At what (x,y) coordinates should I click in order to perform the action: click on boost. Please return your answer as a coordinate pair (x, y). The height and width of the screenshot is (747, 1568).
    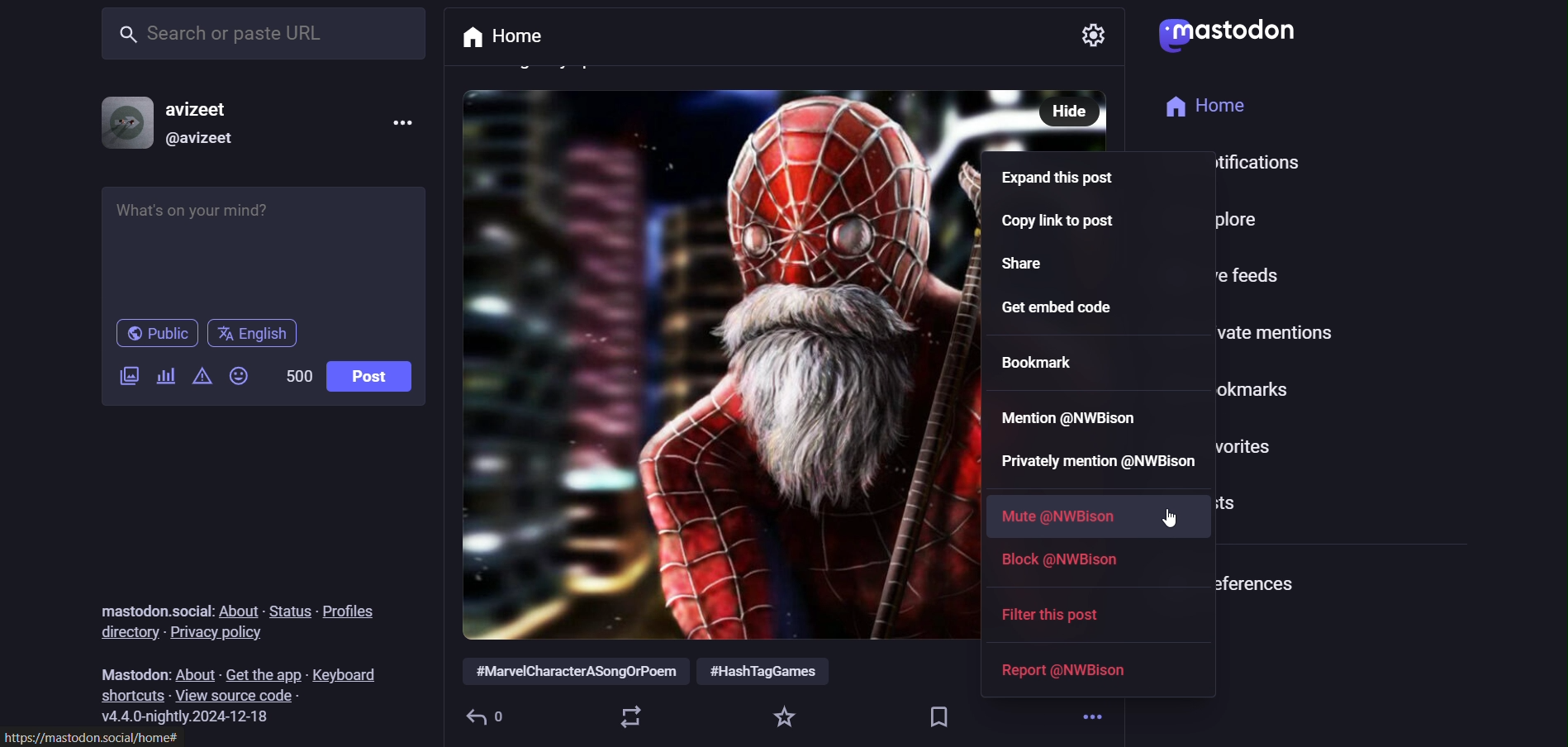
    Looking at the image, I should click on (630, 716).